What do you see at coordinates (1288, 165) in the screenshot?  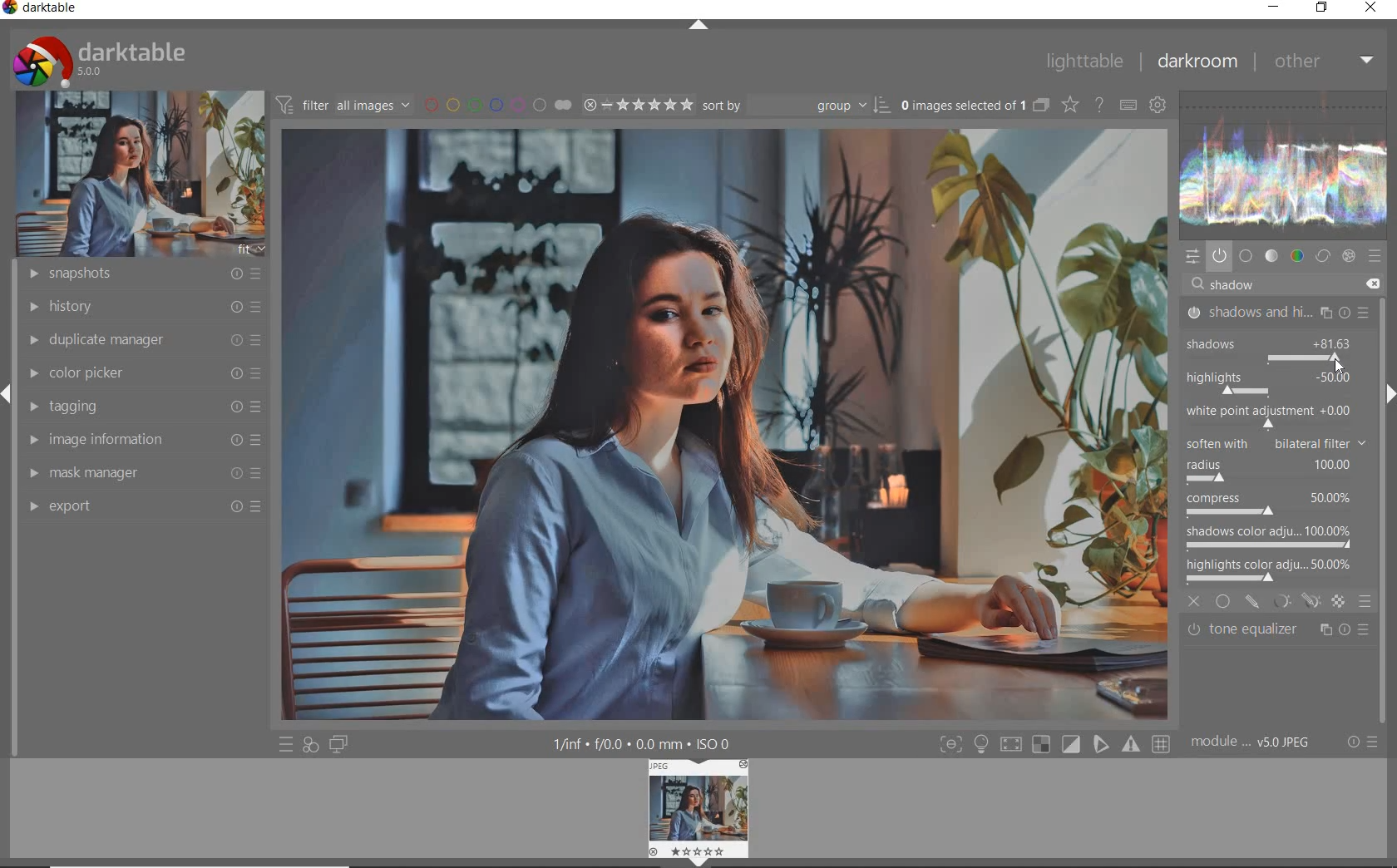 I see `waveform` at bounding box center [1288, 165].